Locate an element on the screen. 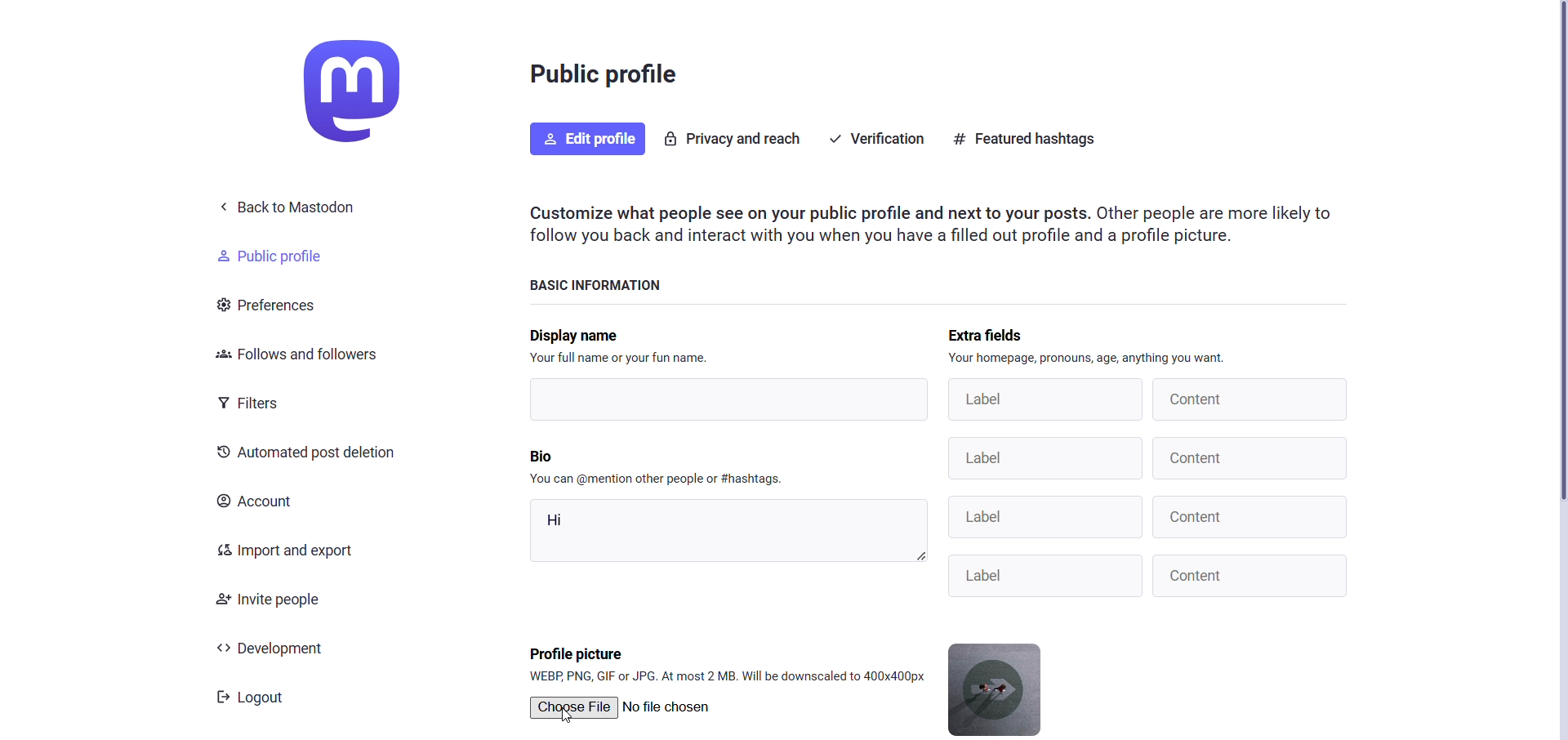 The height and width of the screenshot is (740, 1568). preferences is located at coordinates (256, 306).